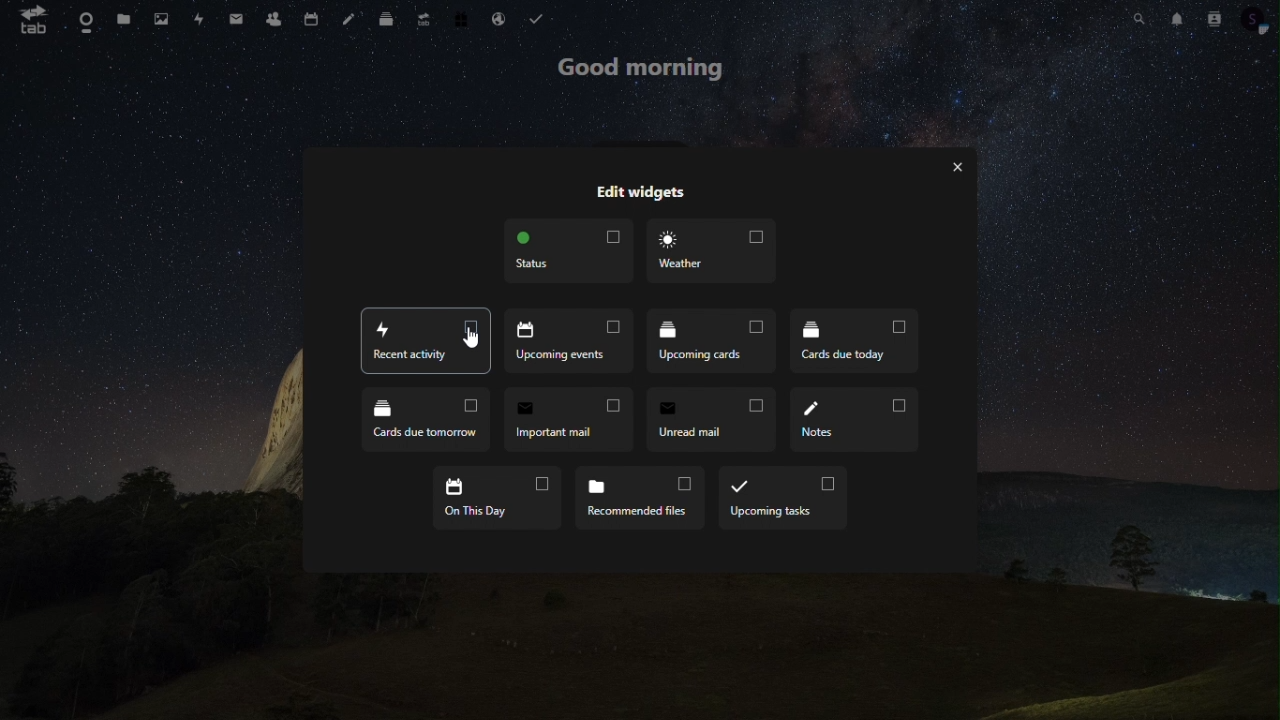 Image resolution: width=1280 pixels, height=720 pixels. What do you see at coordinates (572, 342) in the screenshot?
I see `upcoming events` at bounding box center [572, 342].